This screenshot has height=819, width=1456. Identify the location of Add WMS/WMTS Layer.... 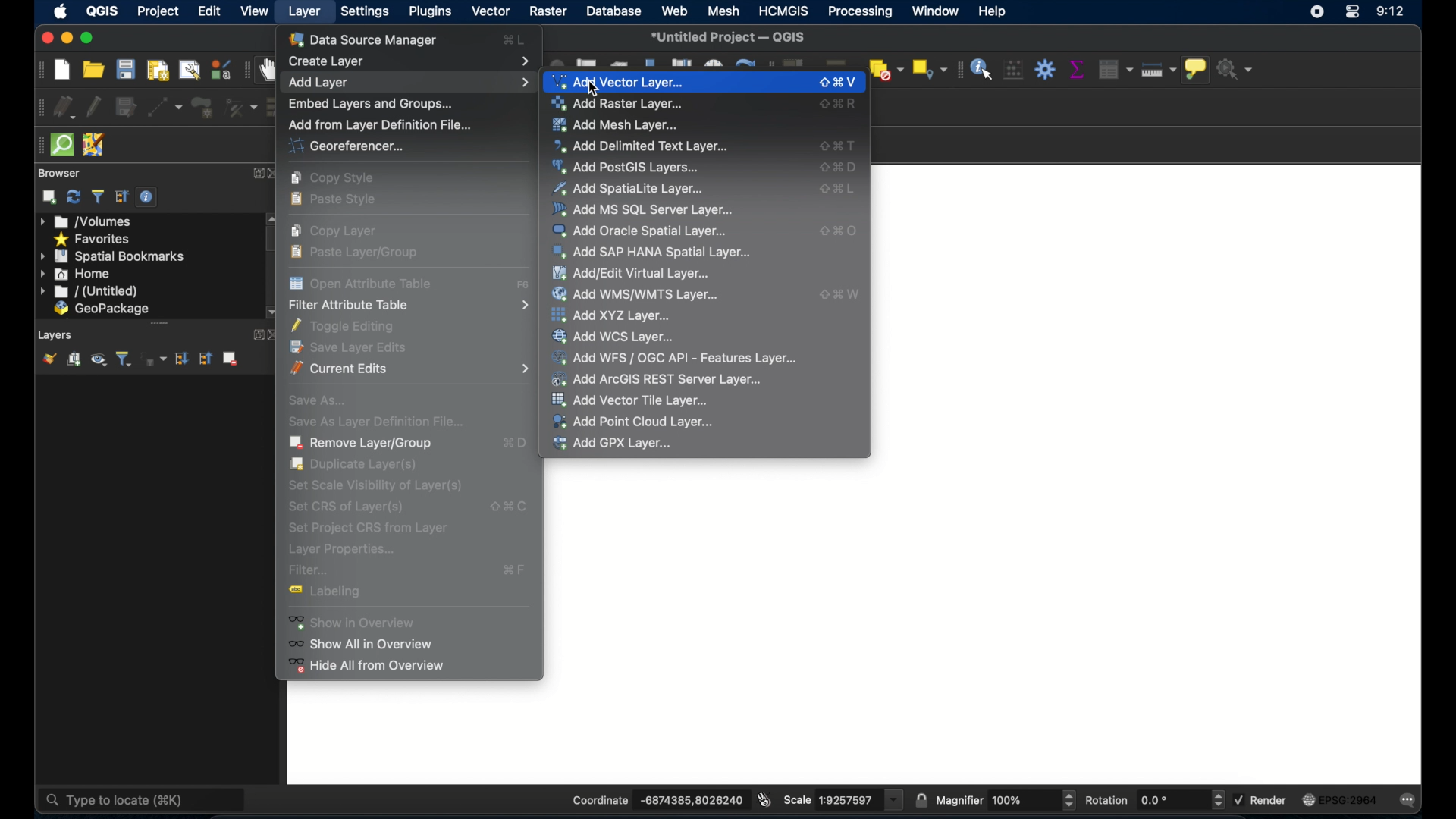
(704, 295).